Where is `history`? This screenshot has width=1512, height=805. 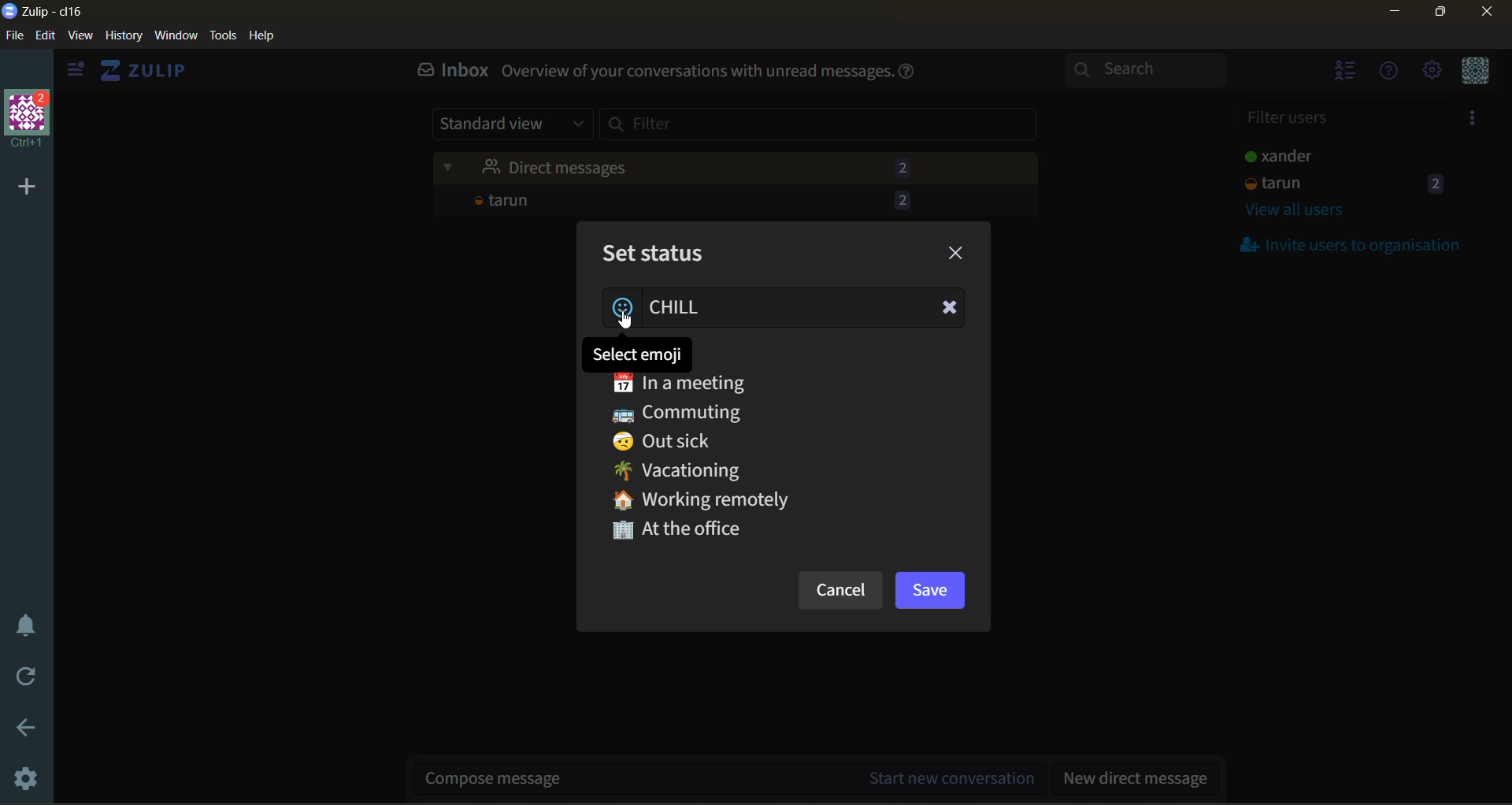 history is located at coordinates (123, 36).